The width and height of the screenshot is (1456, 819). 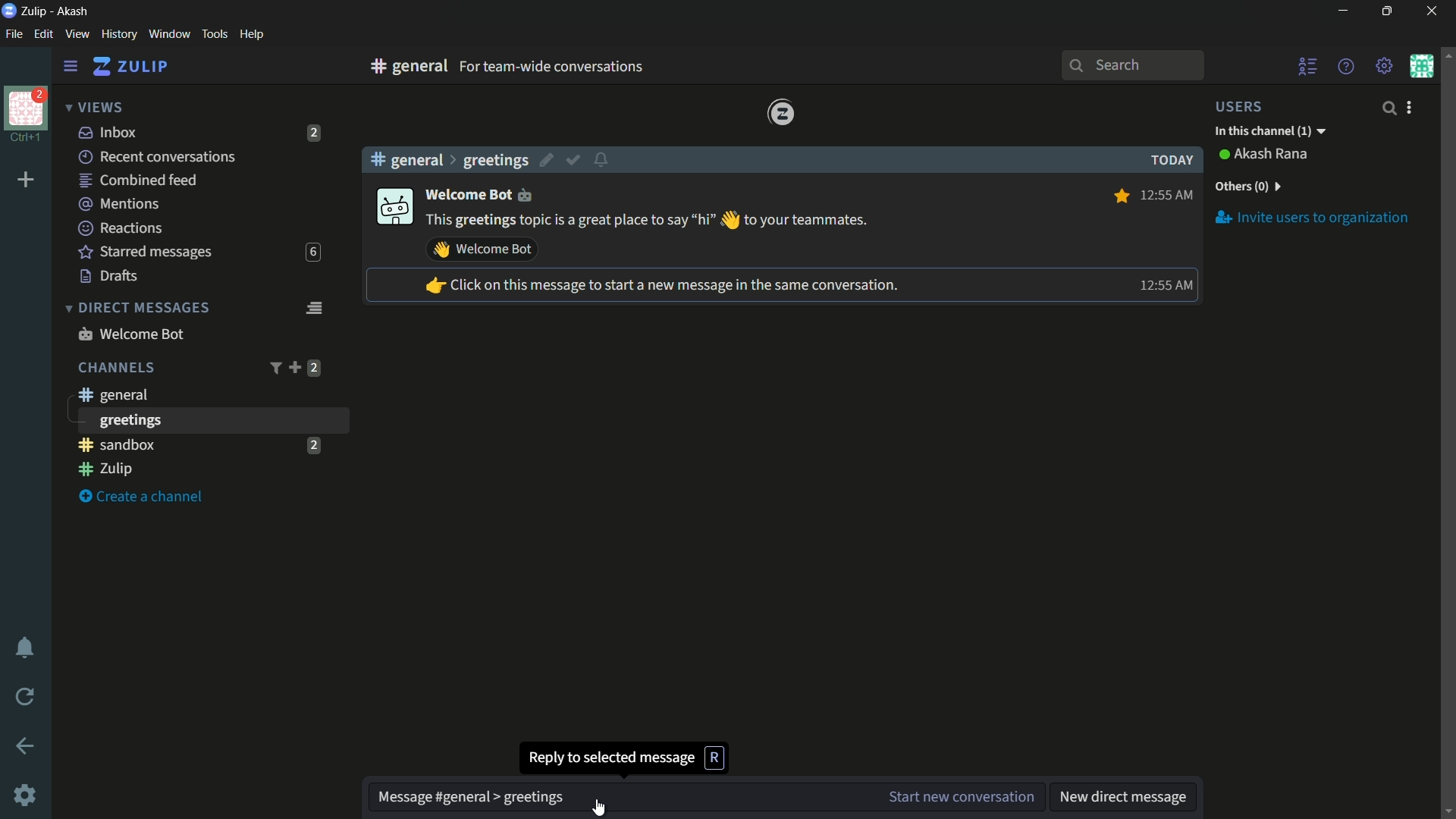 I want to click on sandbox, so click(x=185, y=444).